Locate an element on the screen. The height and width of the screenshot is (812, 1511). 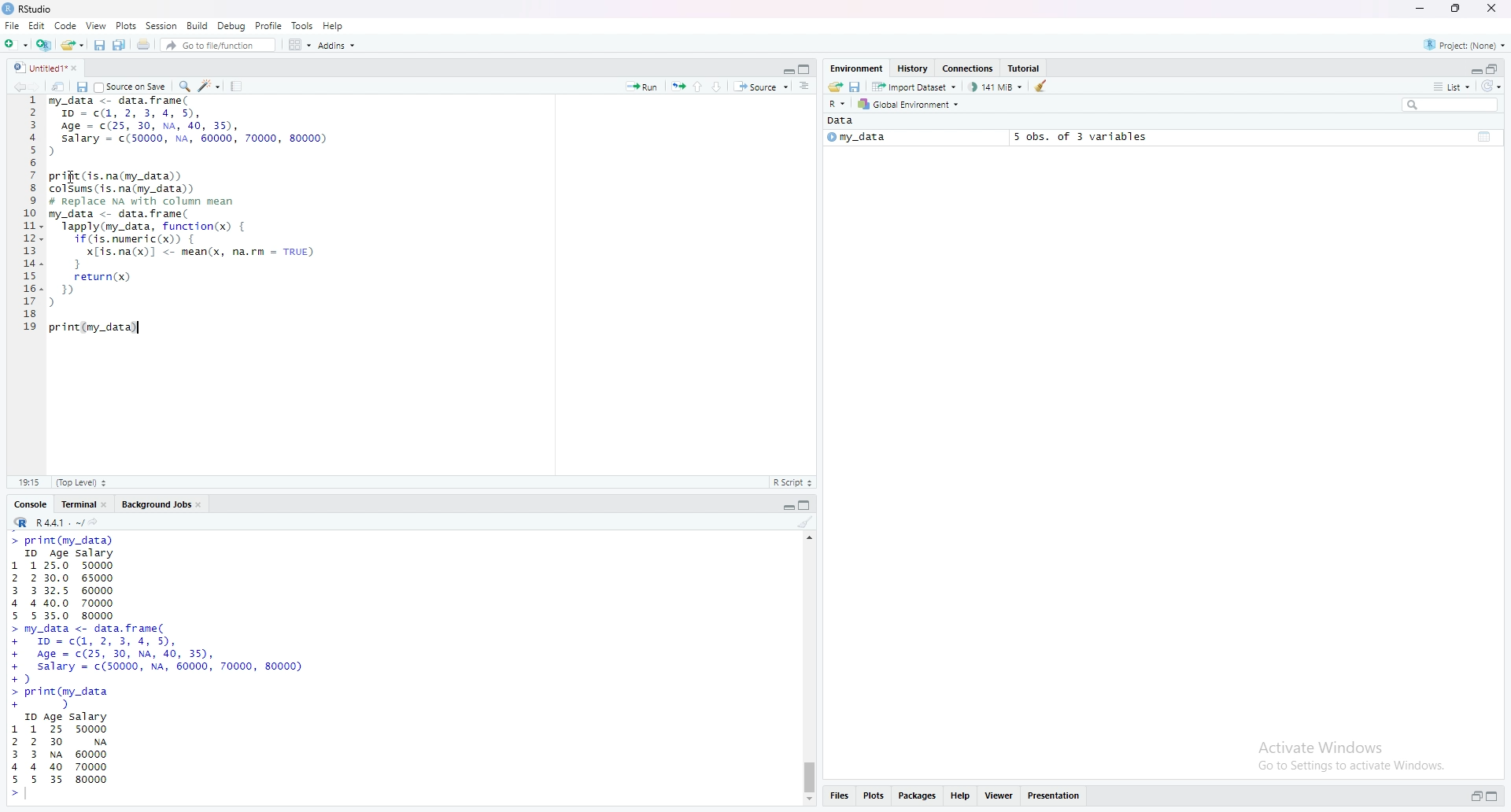
collapse is located at coordinates (808, 506).